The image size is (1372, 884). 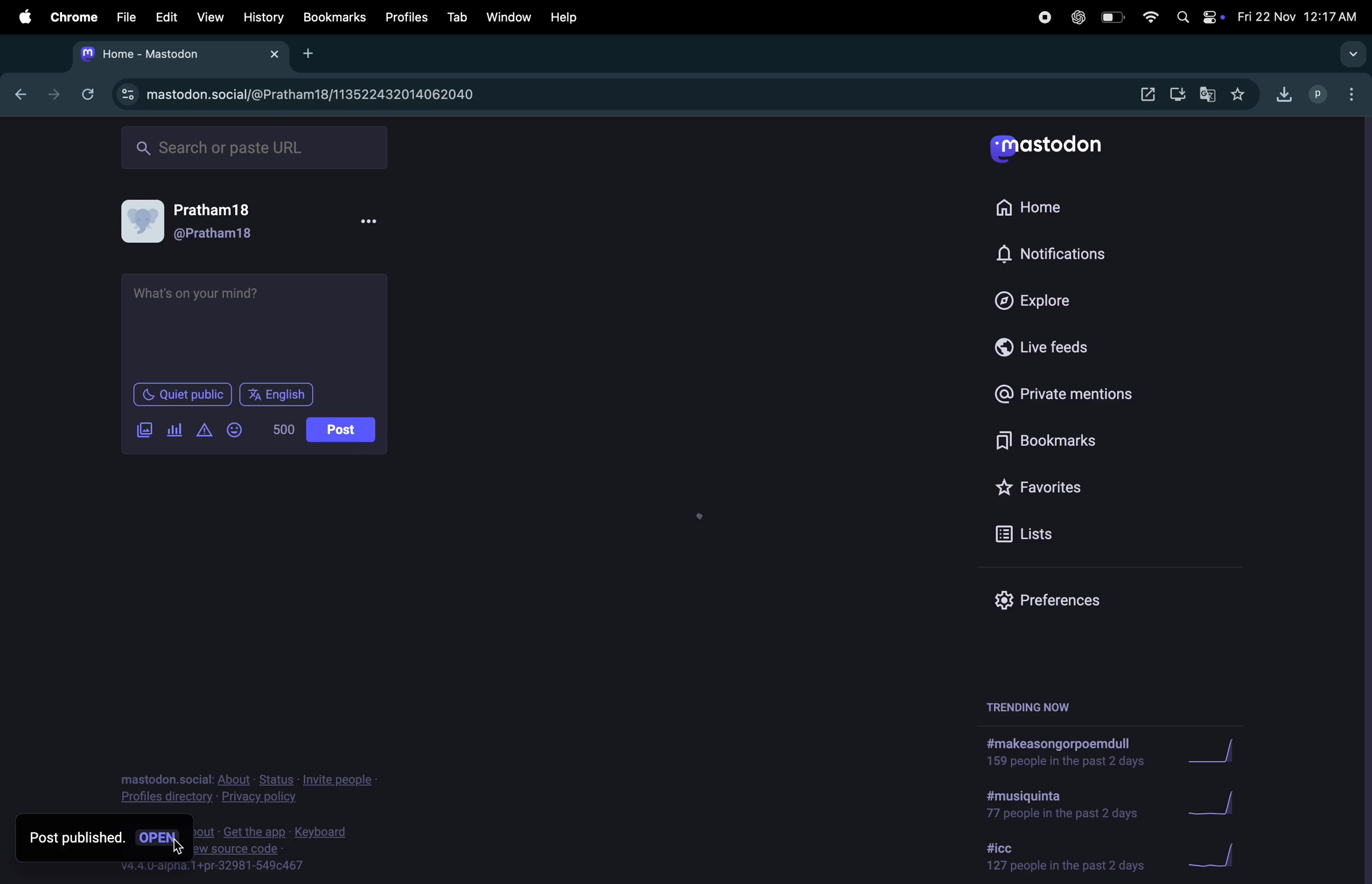 What do you see at coordinates (1241, 94) in the screenshot?
I see `favourites` at bounding box center [1241, 94].